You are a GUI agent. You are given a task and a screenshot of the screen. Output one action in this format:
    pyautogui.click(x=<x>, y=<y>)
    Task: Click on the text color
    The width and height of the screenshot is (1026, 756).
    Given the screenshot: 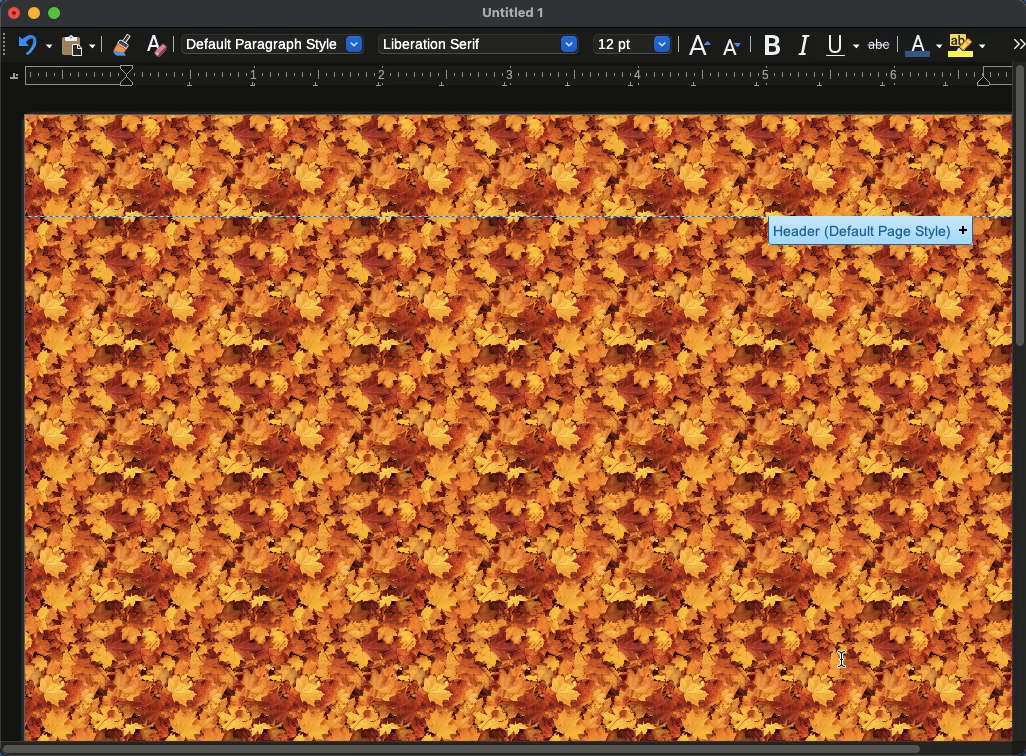 What is the action you would take?
    pyautogui.click(x=924, y=45)
    